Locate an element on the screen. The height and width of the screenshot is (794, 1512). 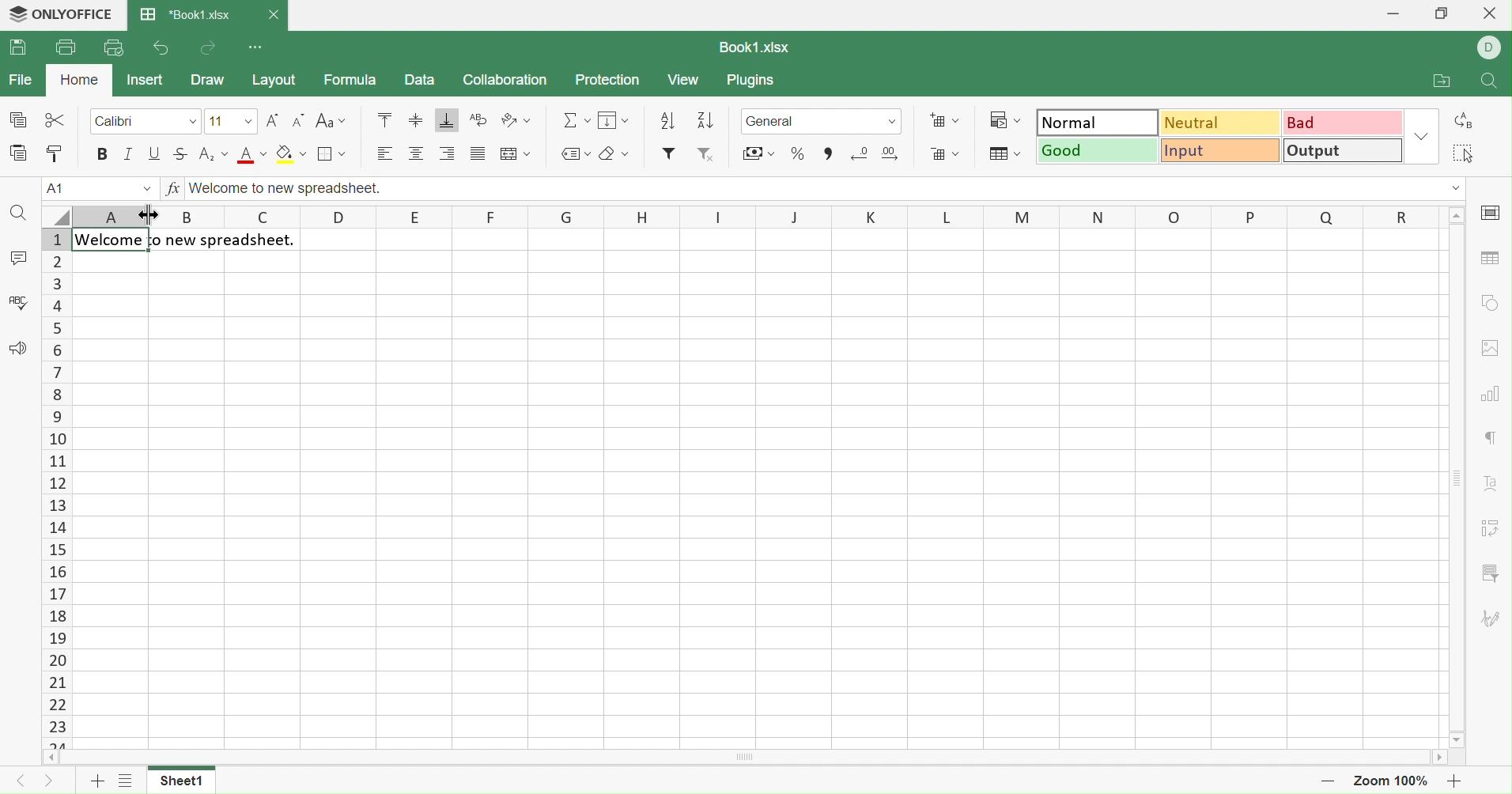
Decrement font size is located at coordinates (299, 120).